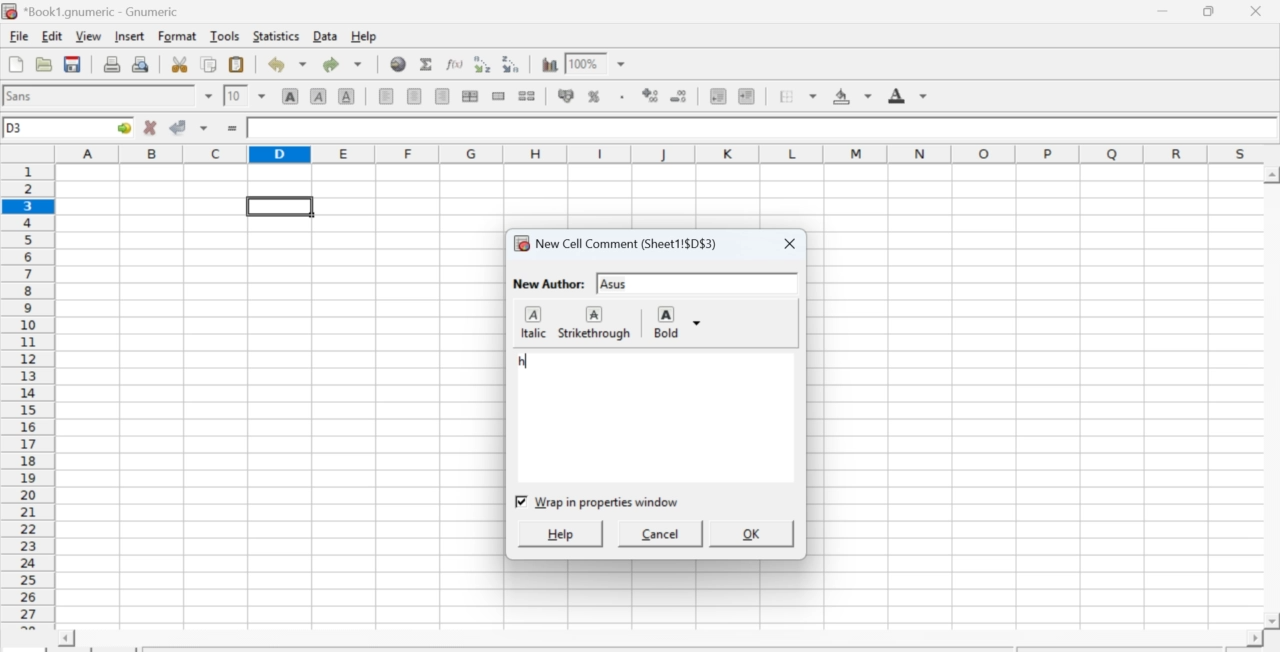  I want to click on Format selection as percentage, so click(594, 95).